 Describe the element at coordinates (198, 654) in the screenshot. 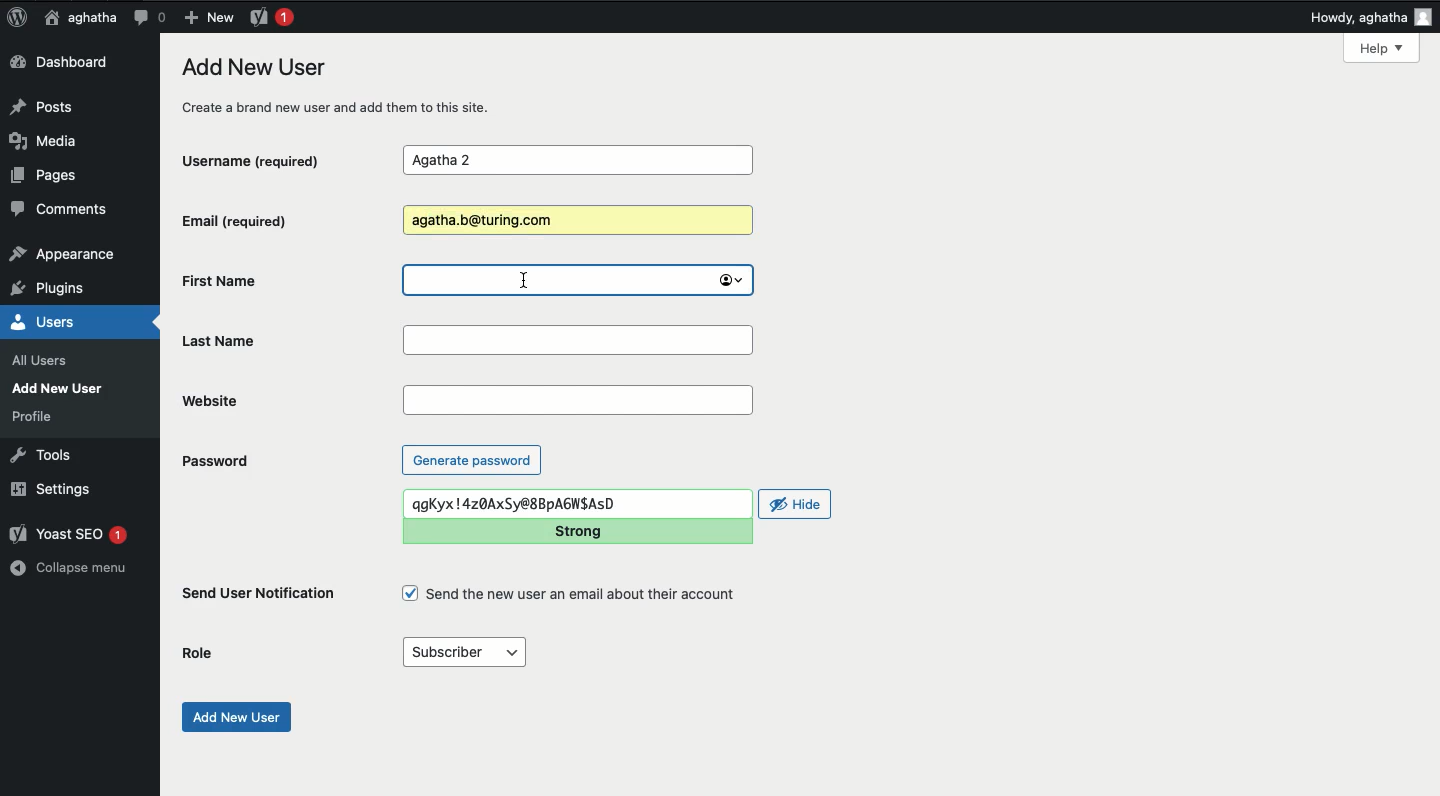

I see `Role` at that location.